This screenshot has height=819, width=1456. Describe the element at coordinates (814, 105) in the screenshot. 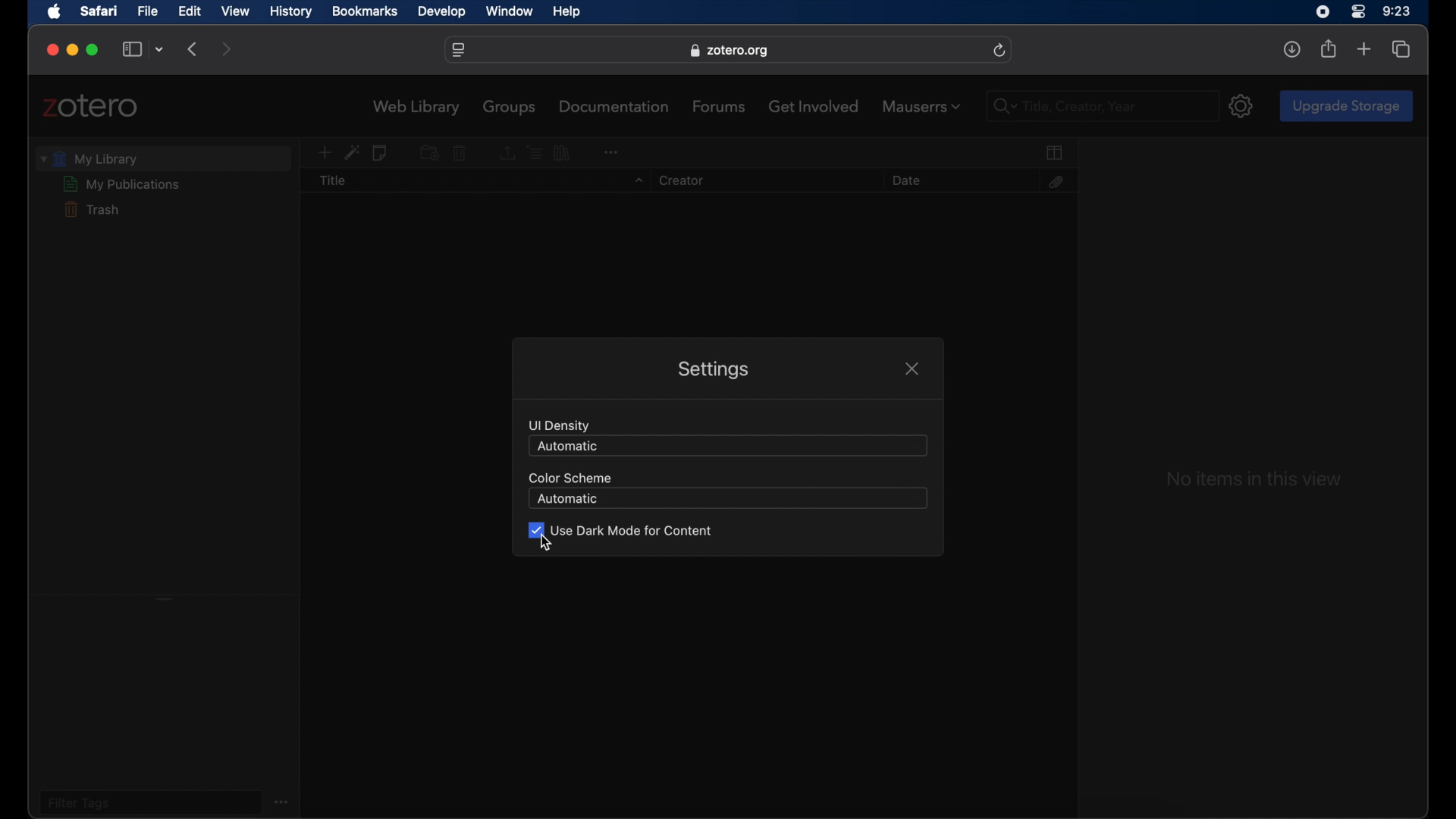

I see `get involved` at that location.